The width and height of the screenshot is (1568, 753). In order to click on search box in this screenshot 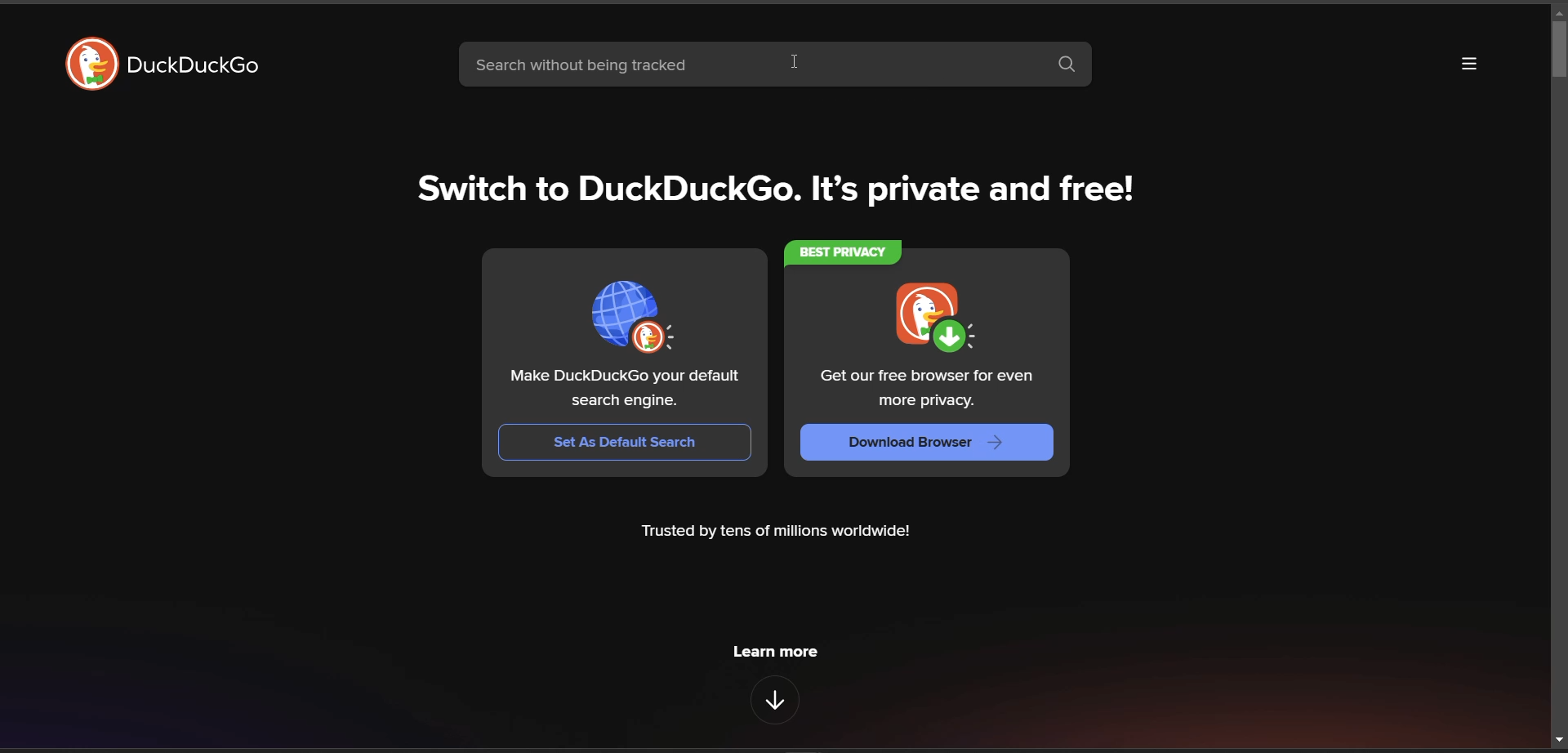, I will do `click(1067, 68)`.